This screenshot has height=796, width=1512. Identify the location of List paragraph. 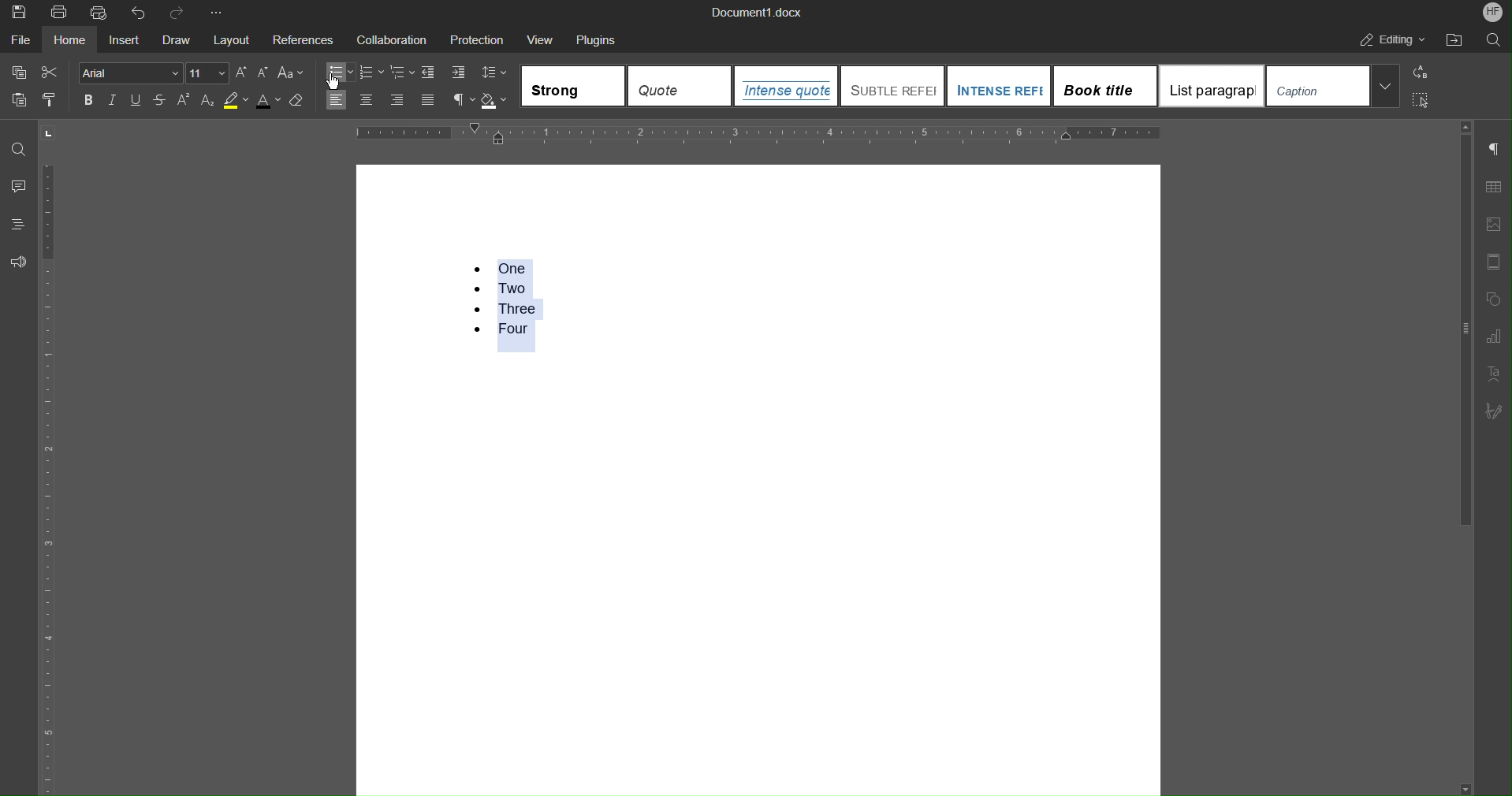
(1211, 85).